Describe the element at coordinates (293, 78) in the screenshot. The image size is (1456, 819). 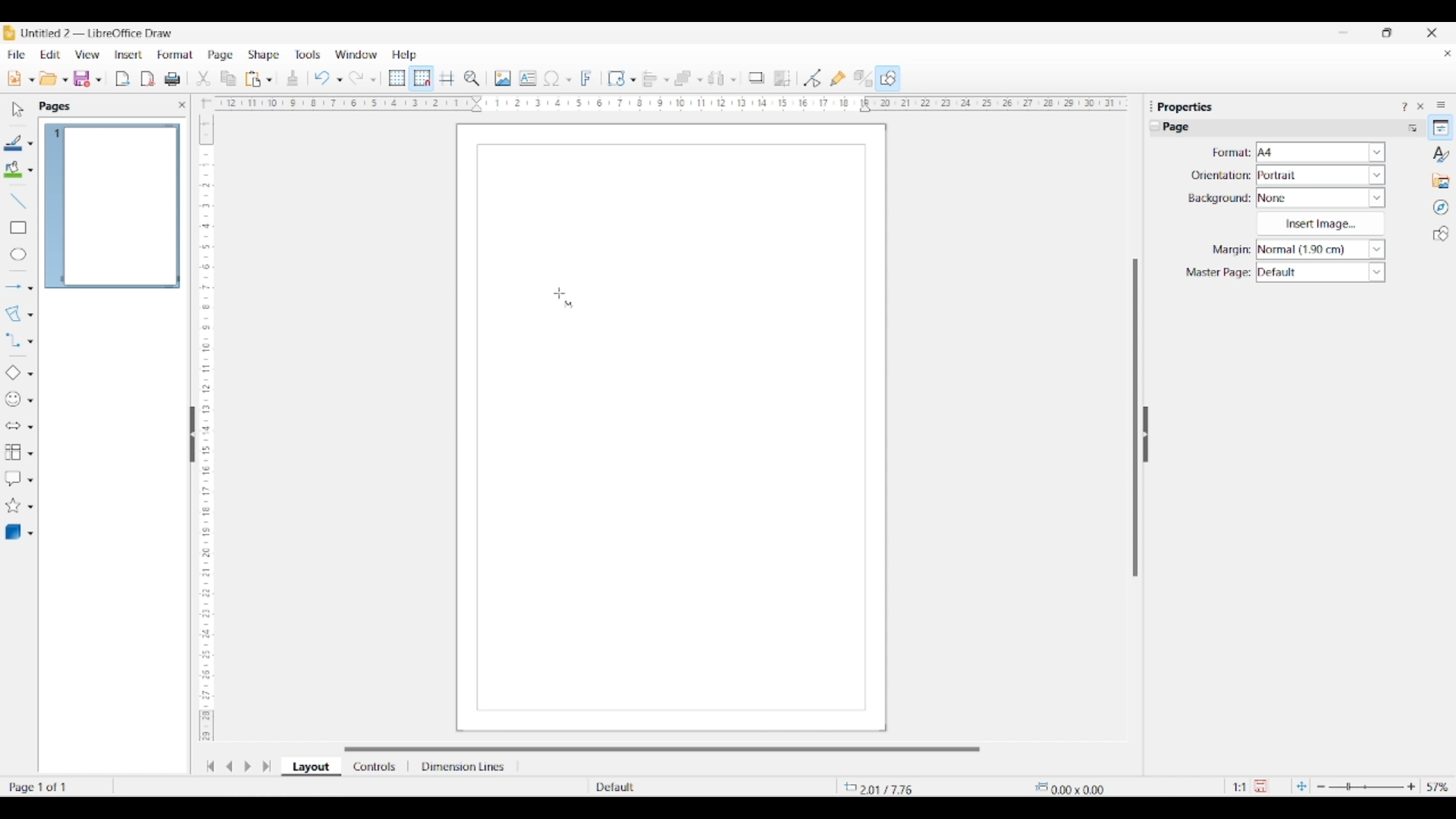
I see `Clone formatting` at that location.